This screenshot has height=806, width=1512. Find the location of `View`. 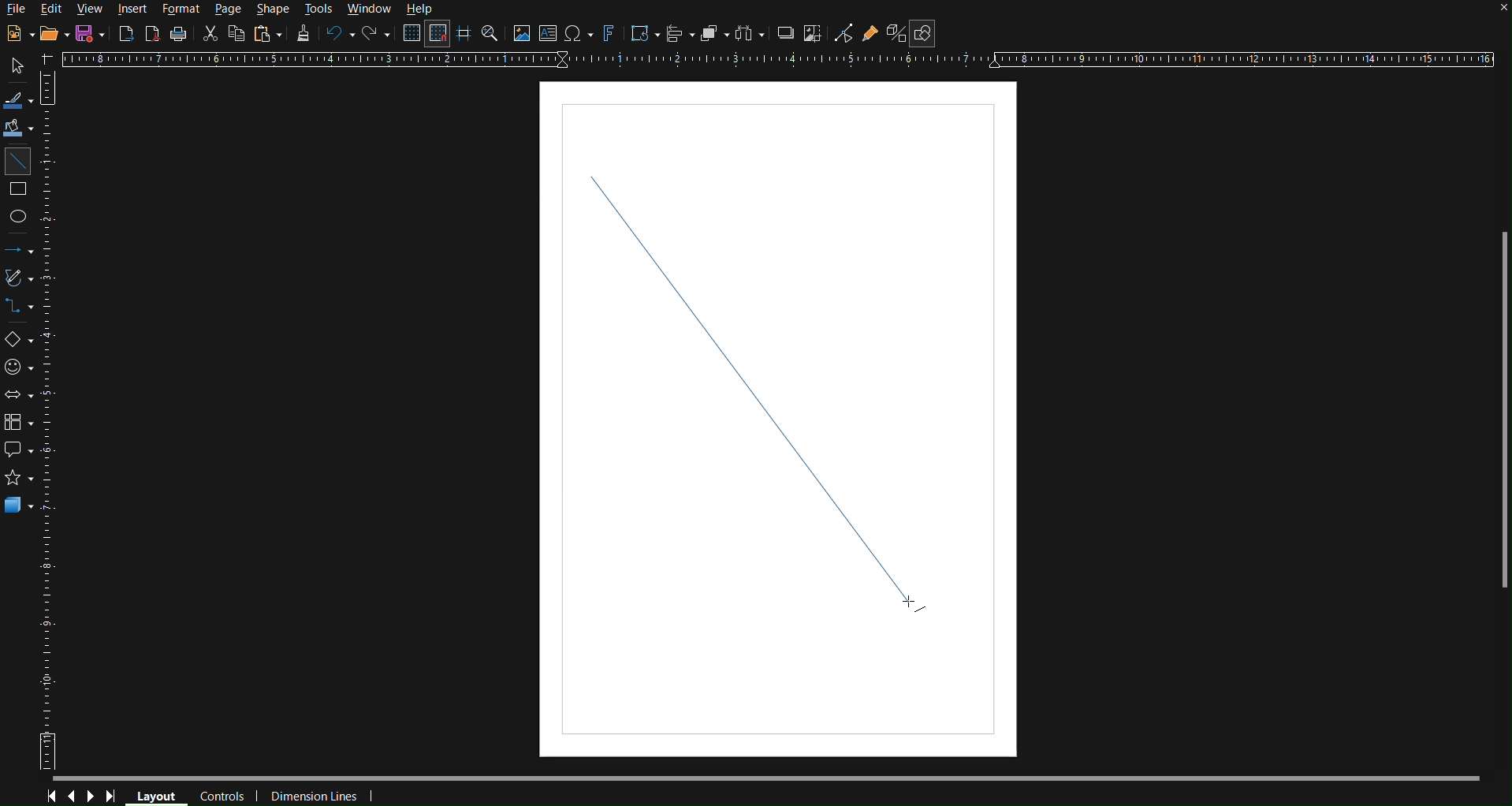

View is located at coordinates (91, 9).